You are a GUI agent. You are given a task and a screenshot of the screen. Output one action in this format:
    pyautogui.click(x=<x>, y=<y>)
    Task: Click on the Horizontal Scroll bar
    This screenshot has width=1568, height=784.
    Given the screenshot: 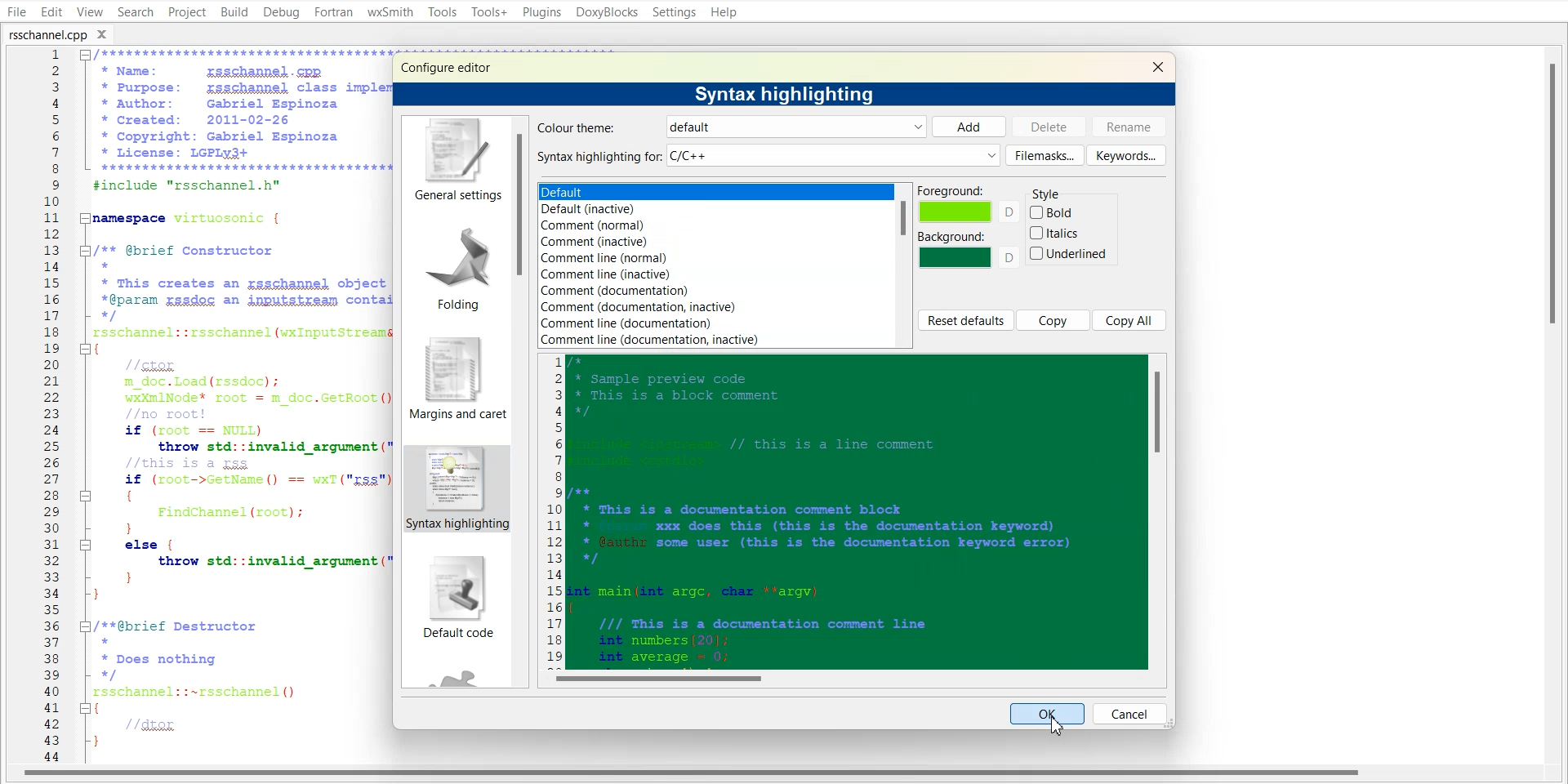 What is the action you would take?
    pyautogui.click(x=694, y=775)
    